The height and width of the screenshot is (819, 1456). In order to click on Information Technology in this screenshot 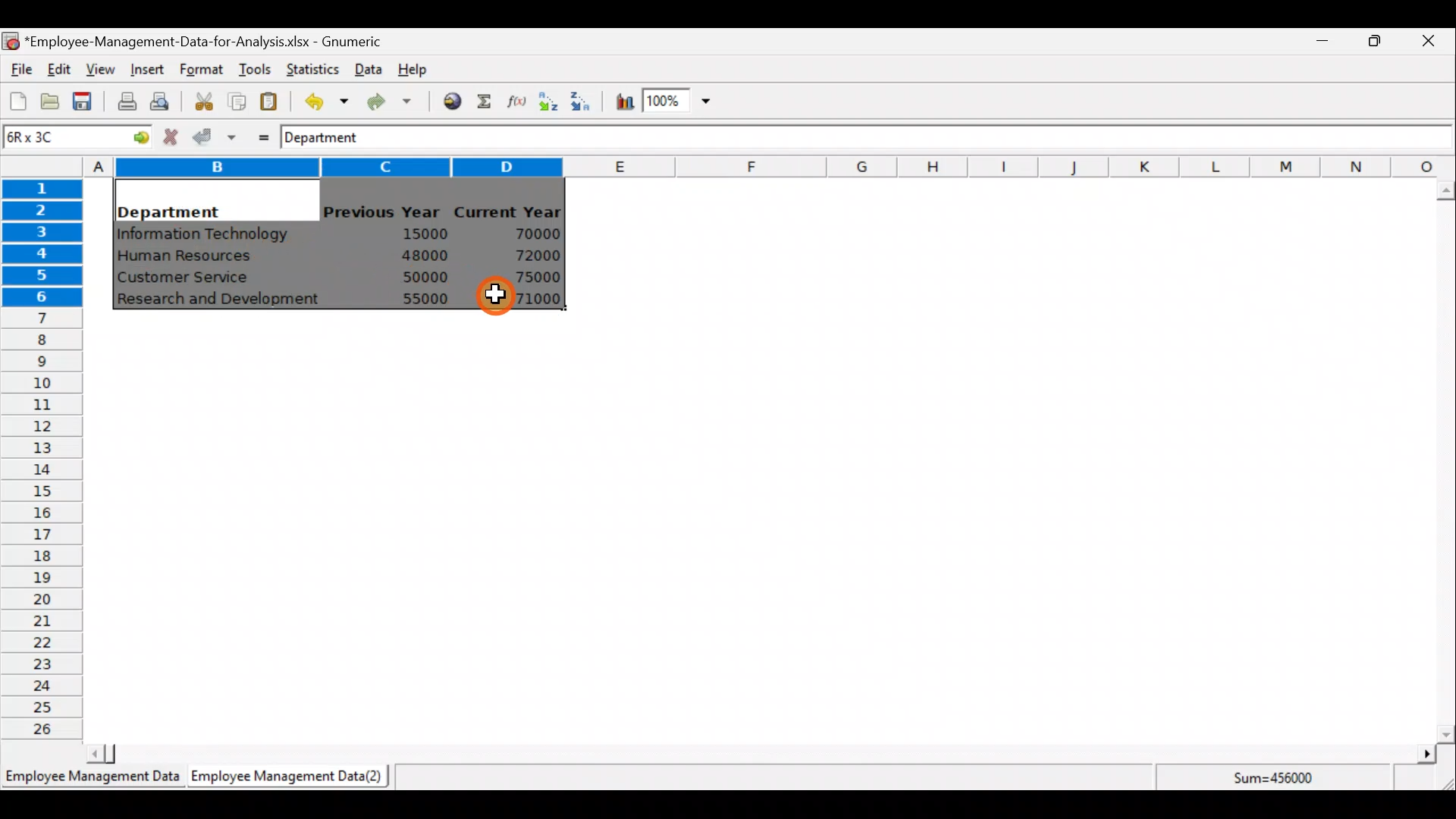, I will do `click(205, 234)`.